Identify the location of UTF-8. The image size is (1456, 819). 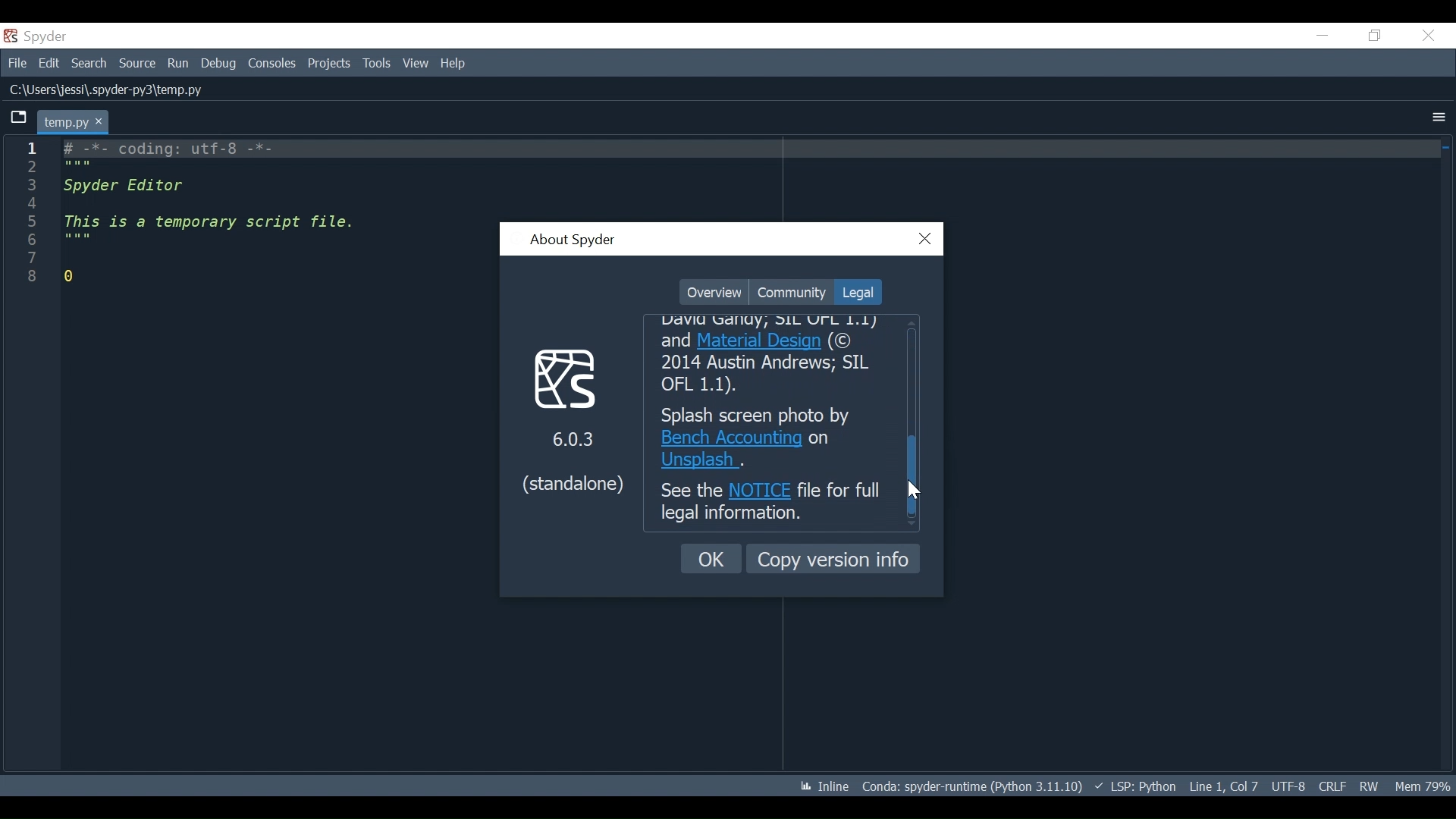
(1291, 785).